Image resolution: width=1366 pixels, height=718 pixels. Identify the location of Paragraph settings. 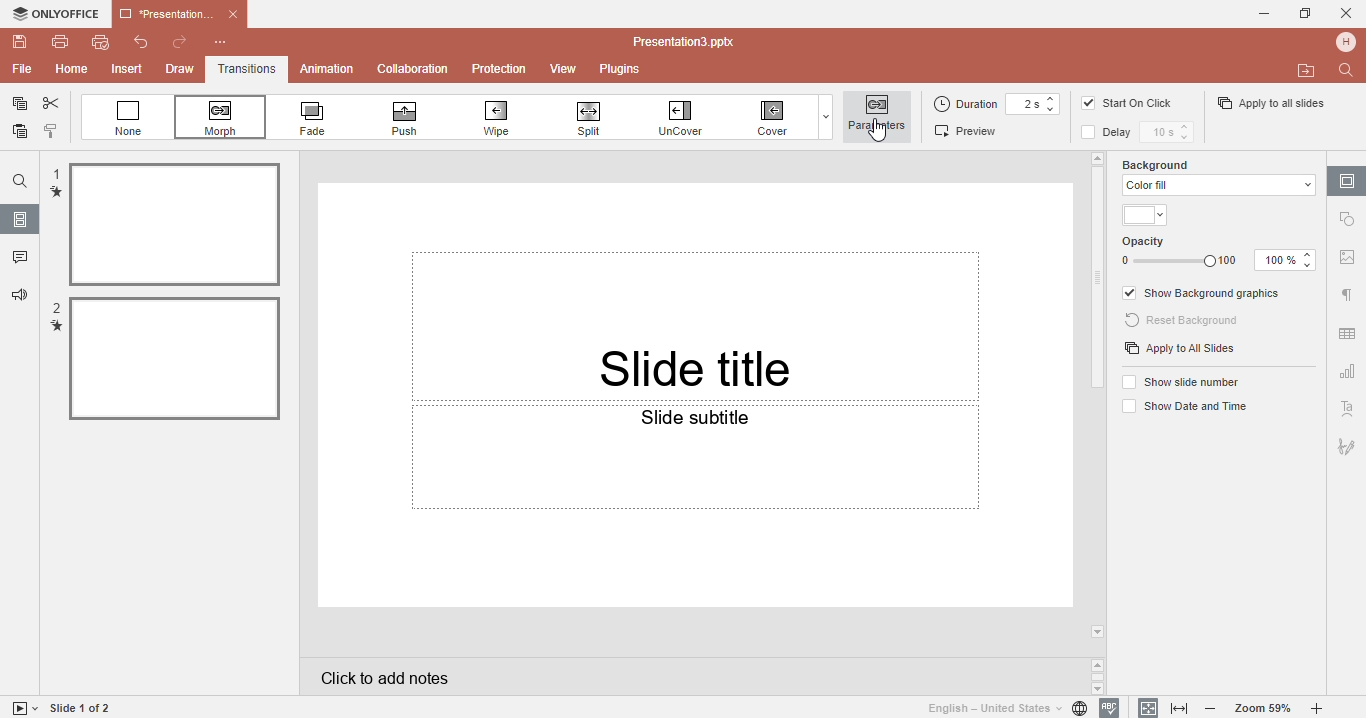
(1346, 295).